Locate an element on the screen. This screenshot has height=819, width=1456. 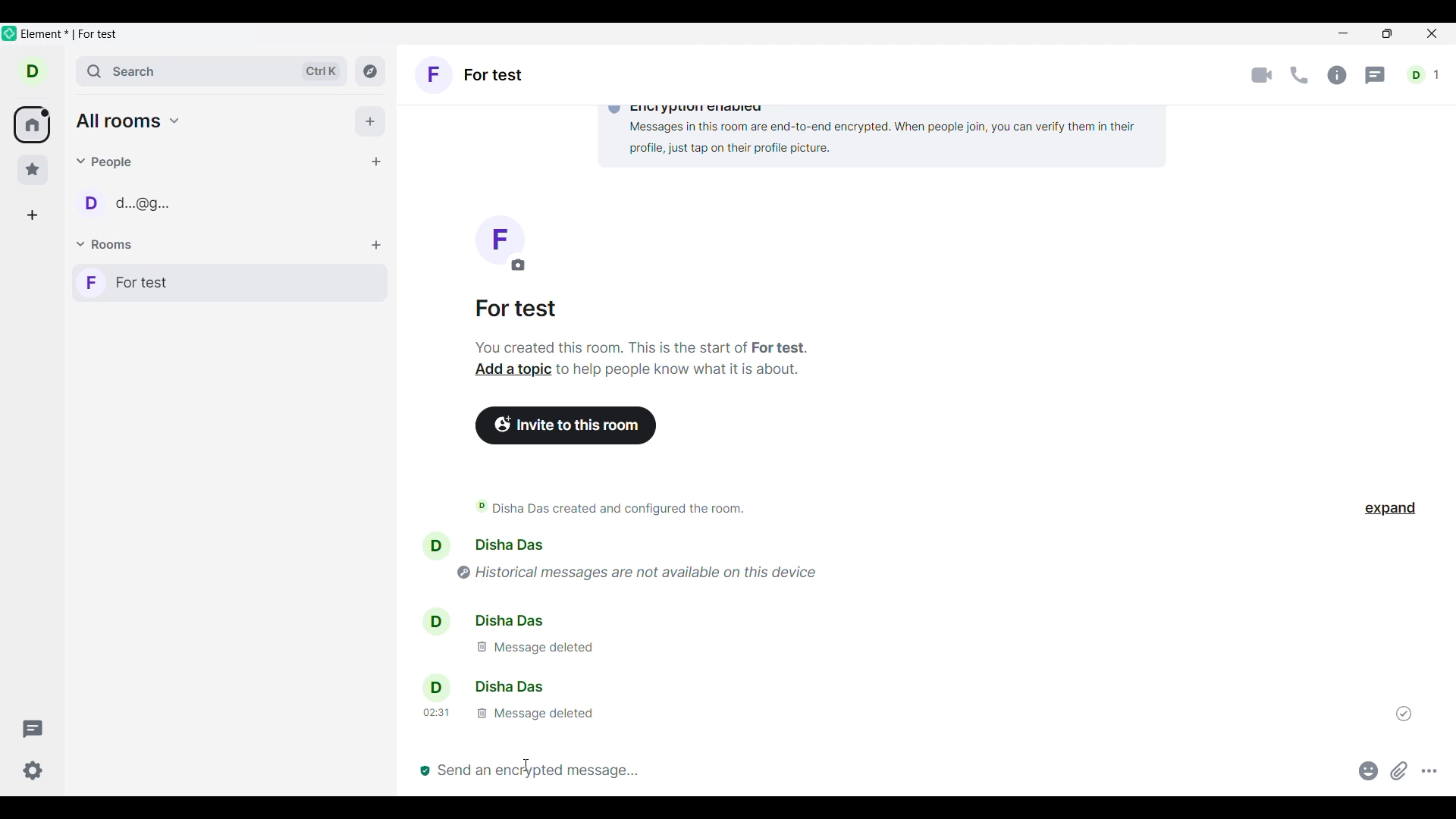
disha das is located at coordinates (505, 619).